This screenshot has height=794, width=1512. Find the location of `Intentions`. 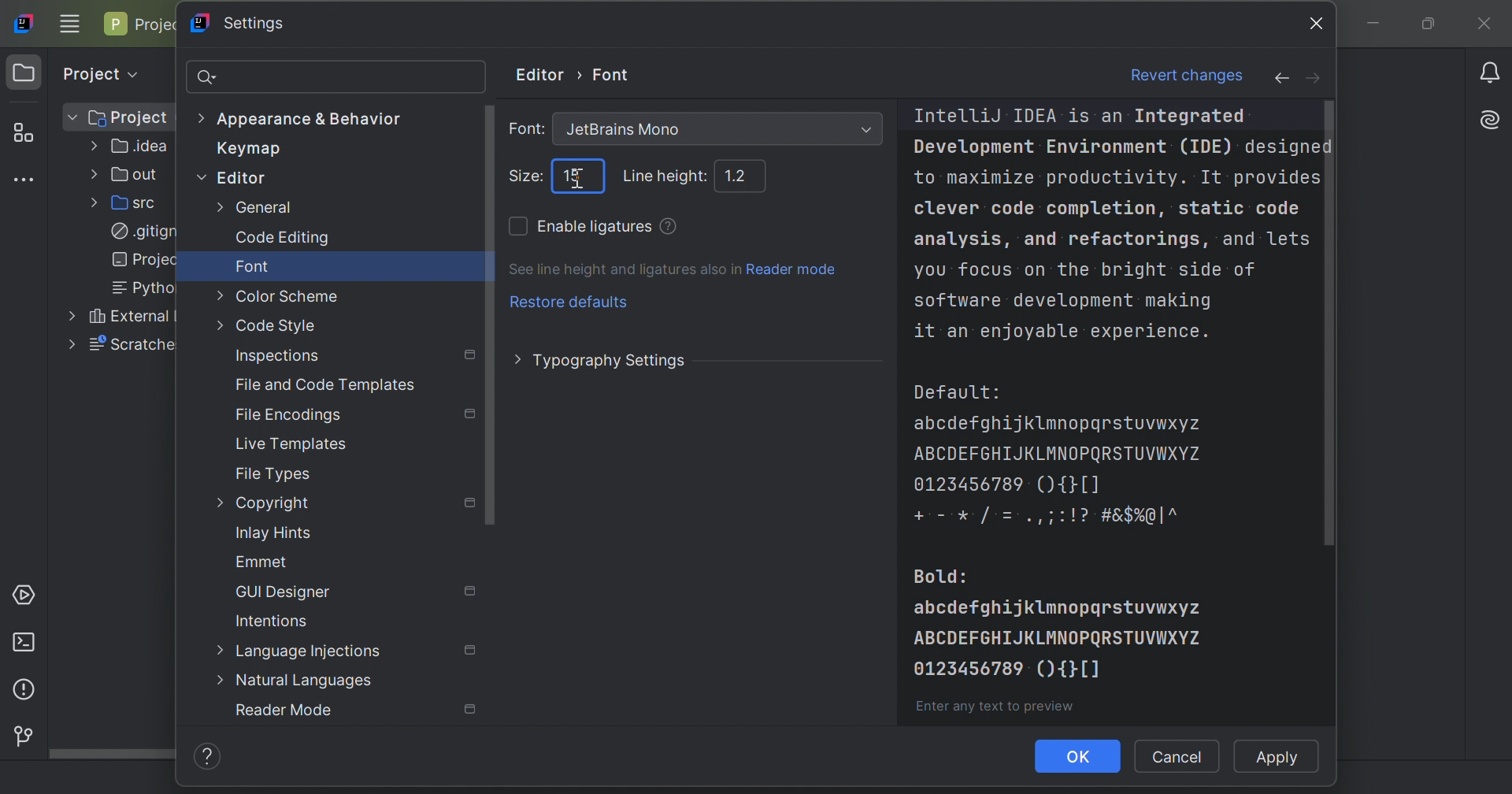

Intentions is located at coordinates (272, 620).